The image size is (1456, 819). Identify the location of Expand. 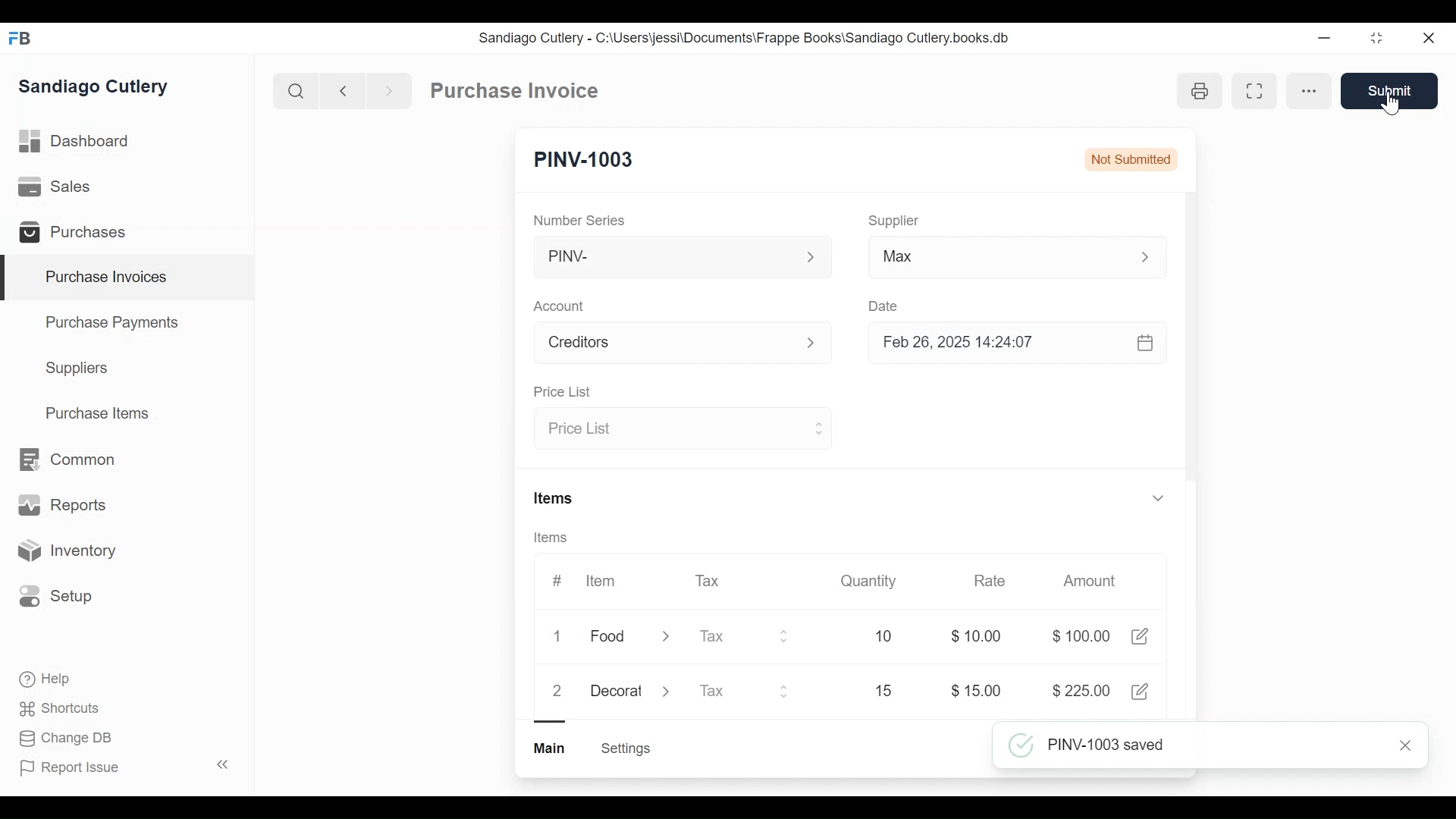
(1153, 257).